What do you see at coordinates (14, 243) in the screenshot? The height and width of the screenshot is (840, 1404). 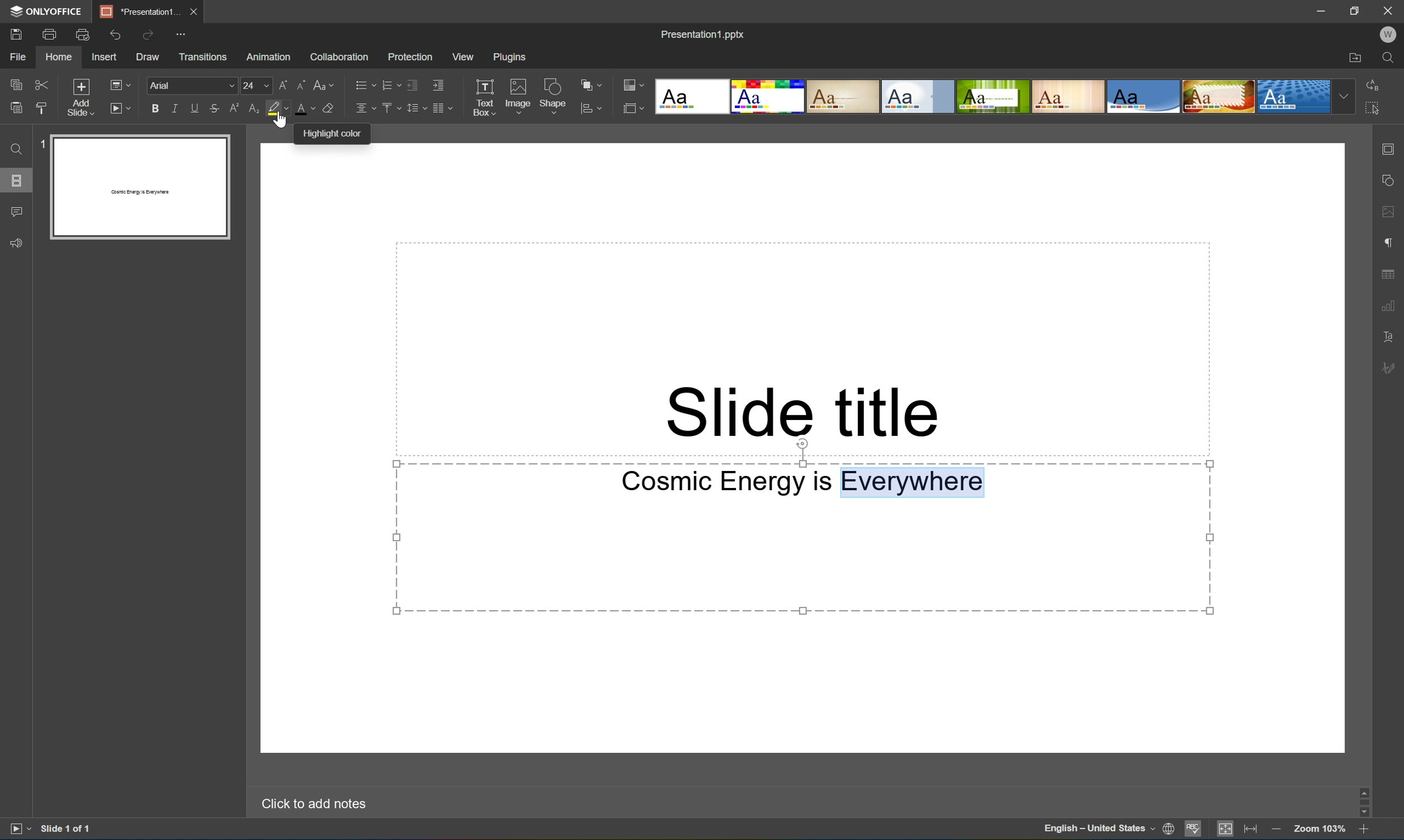 I see `Feedback and comments` at bounding box center [14, 243].